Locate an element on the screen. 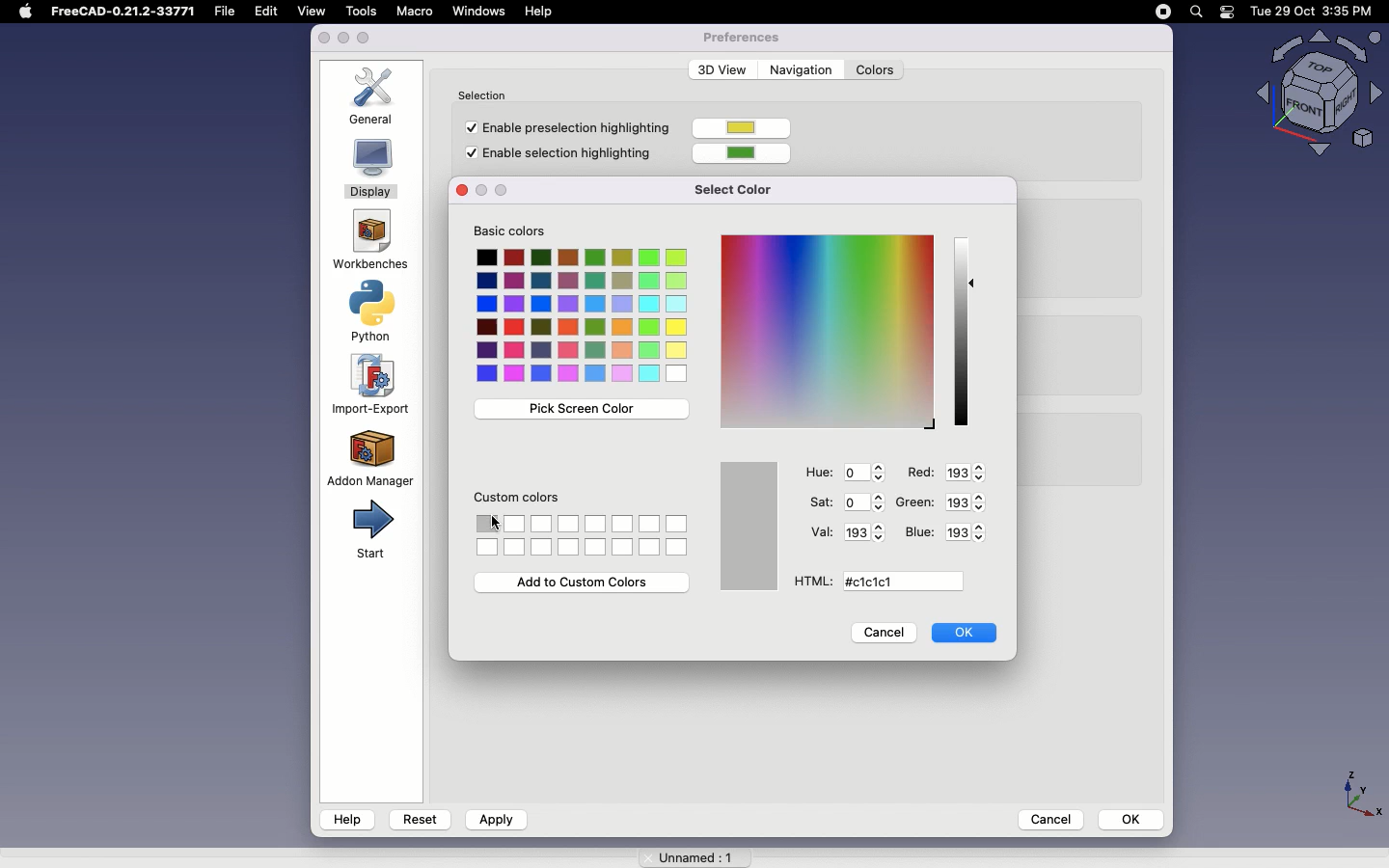  0 is located at coordinates (862, 501).